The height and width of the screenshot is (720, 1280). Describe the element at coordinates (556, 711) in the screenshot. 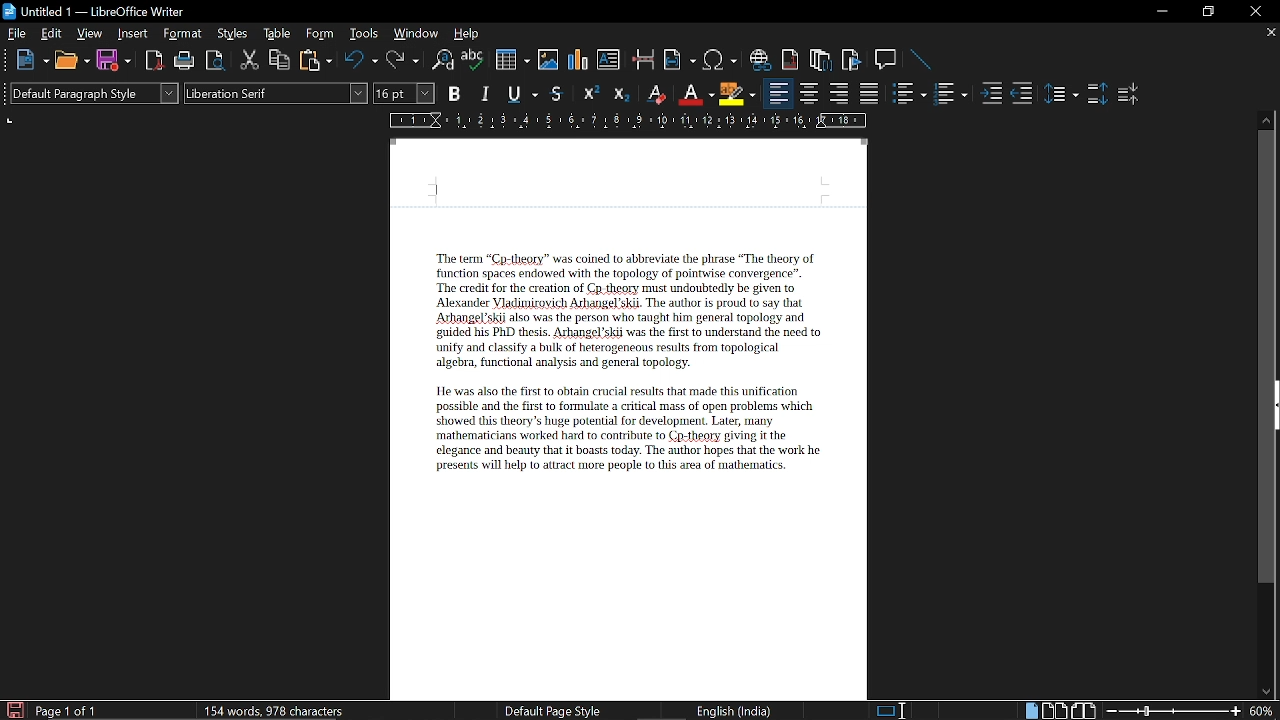

I see `page style Page style` at that location.